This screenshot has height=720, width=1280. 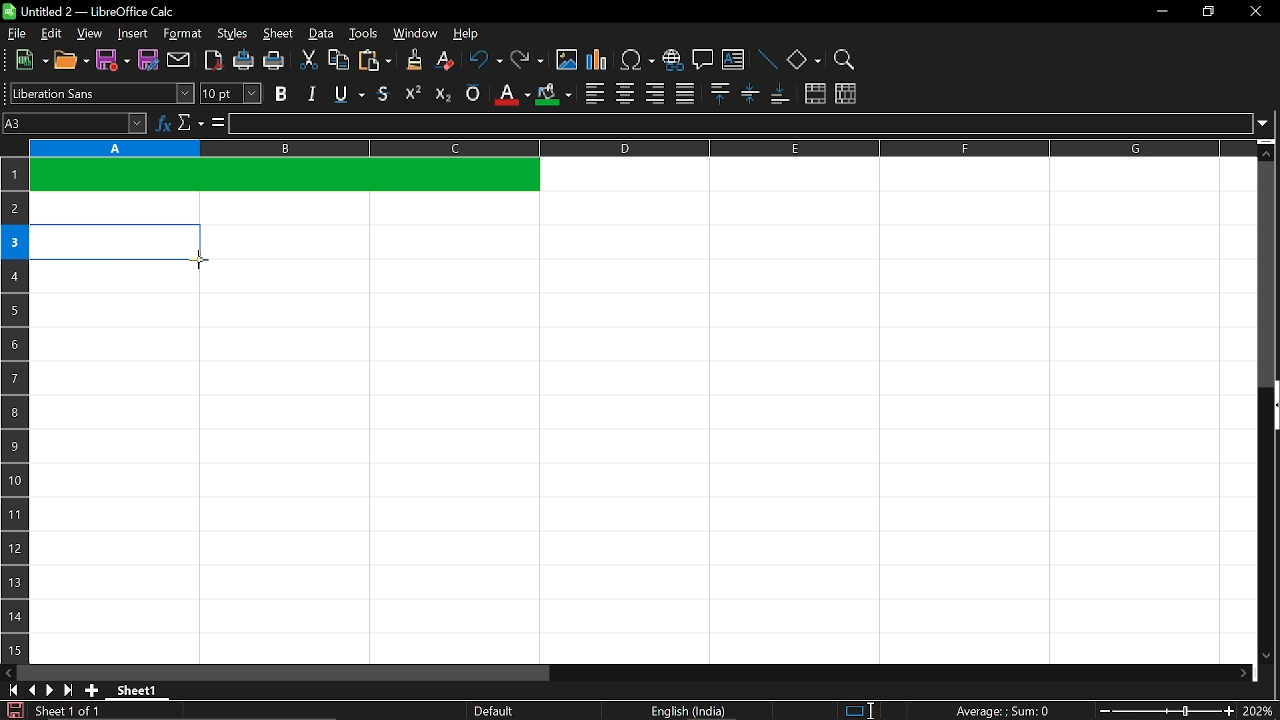 I want to click on restore down, so click(x=1207, y=10).